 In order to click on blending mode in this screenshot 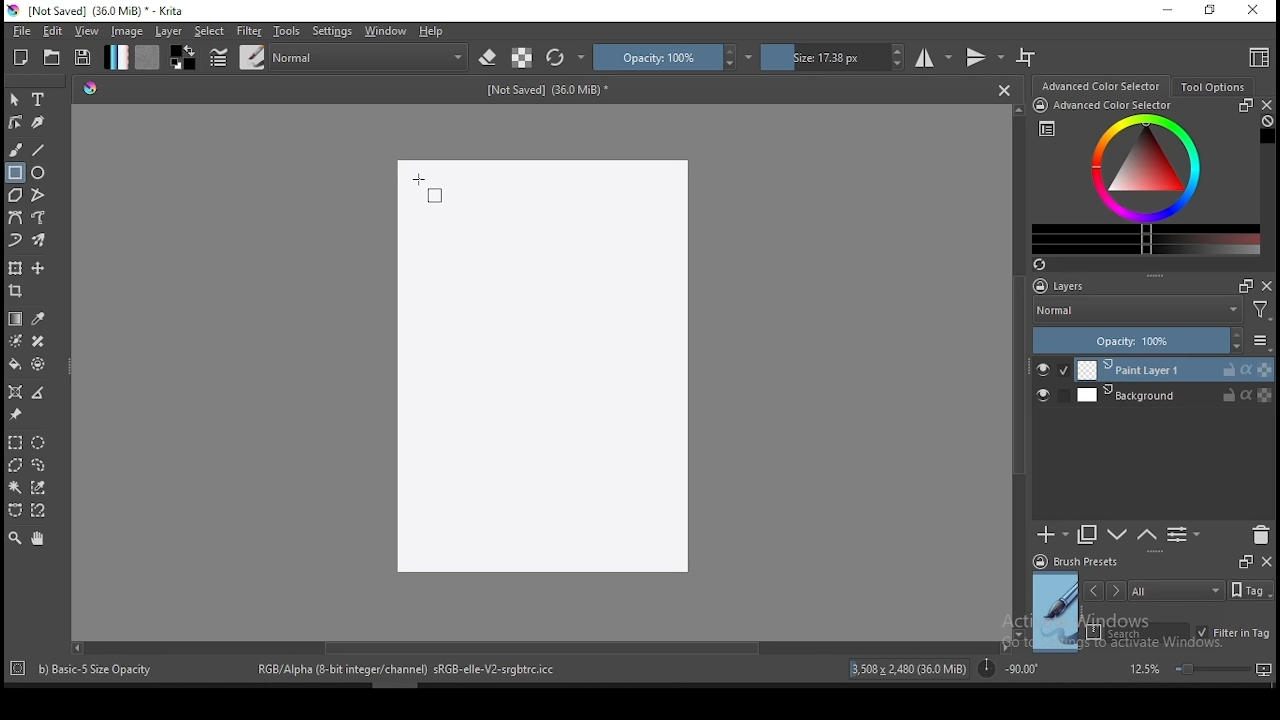, I will do `click(370, 57)`.